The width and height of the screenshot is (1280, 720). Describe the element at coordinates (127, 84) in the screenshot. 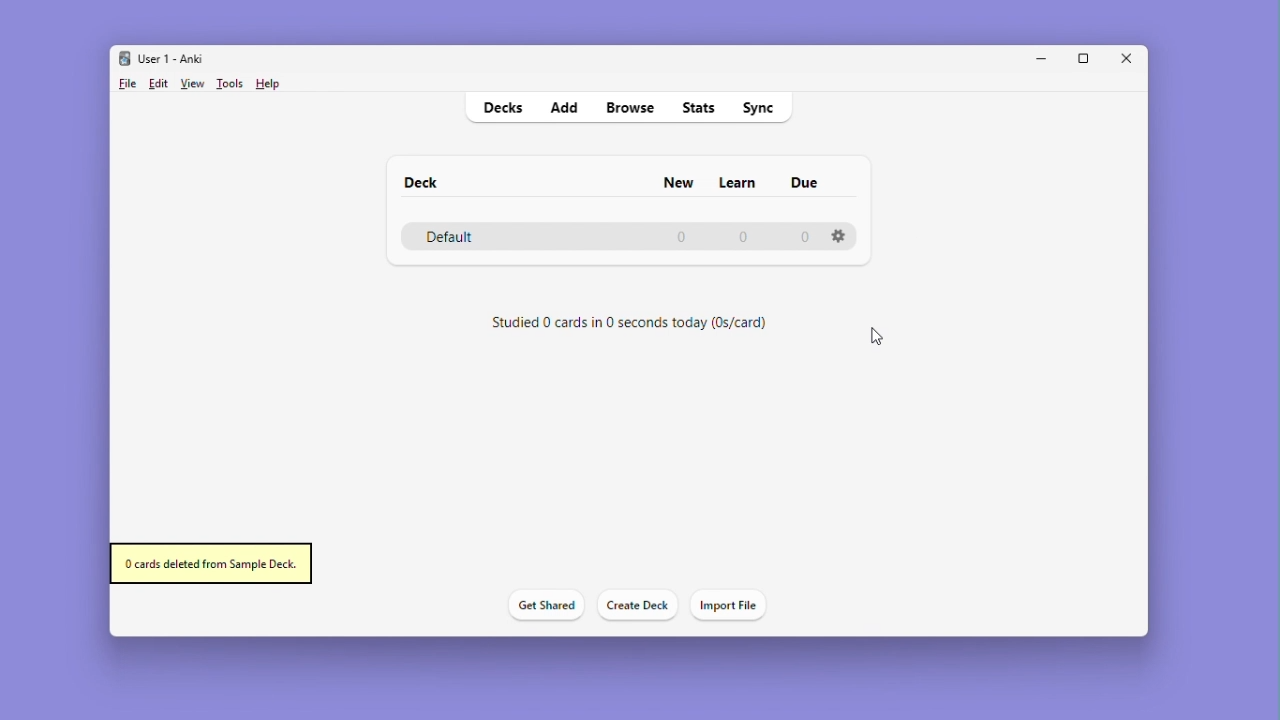

I see `File` at that location.